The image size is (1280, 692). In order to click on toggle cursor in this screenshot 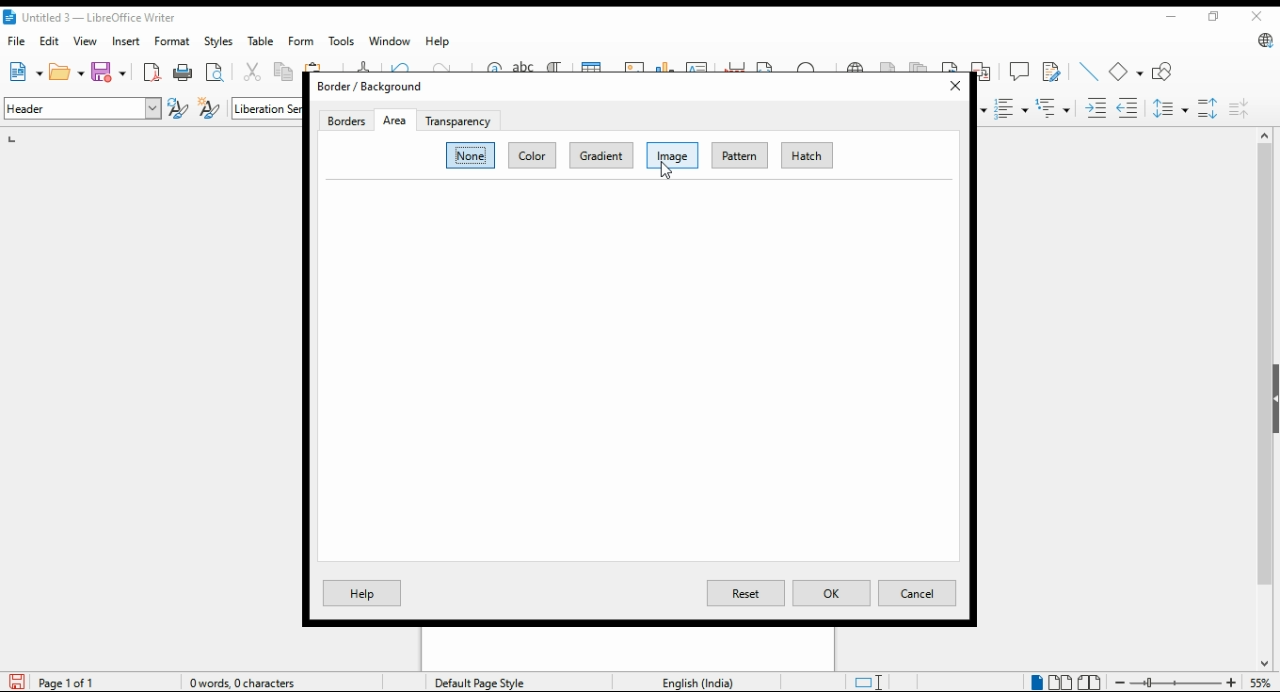, I will do `click(871, 682)`.